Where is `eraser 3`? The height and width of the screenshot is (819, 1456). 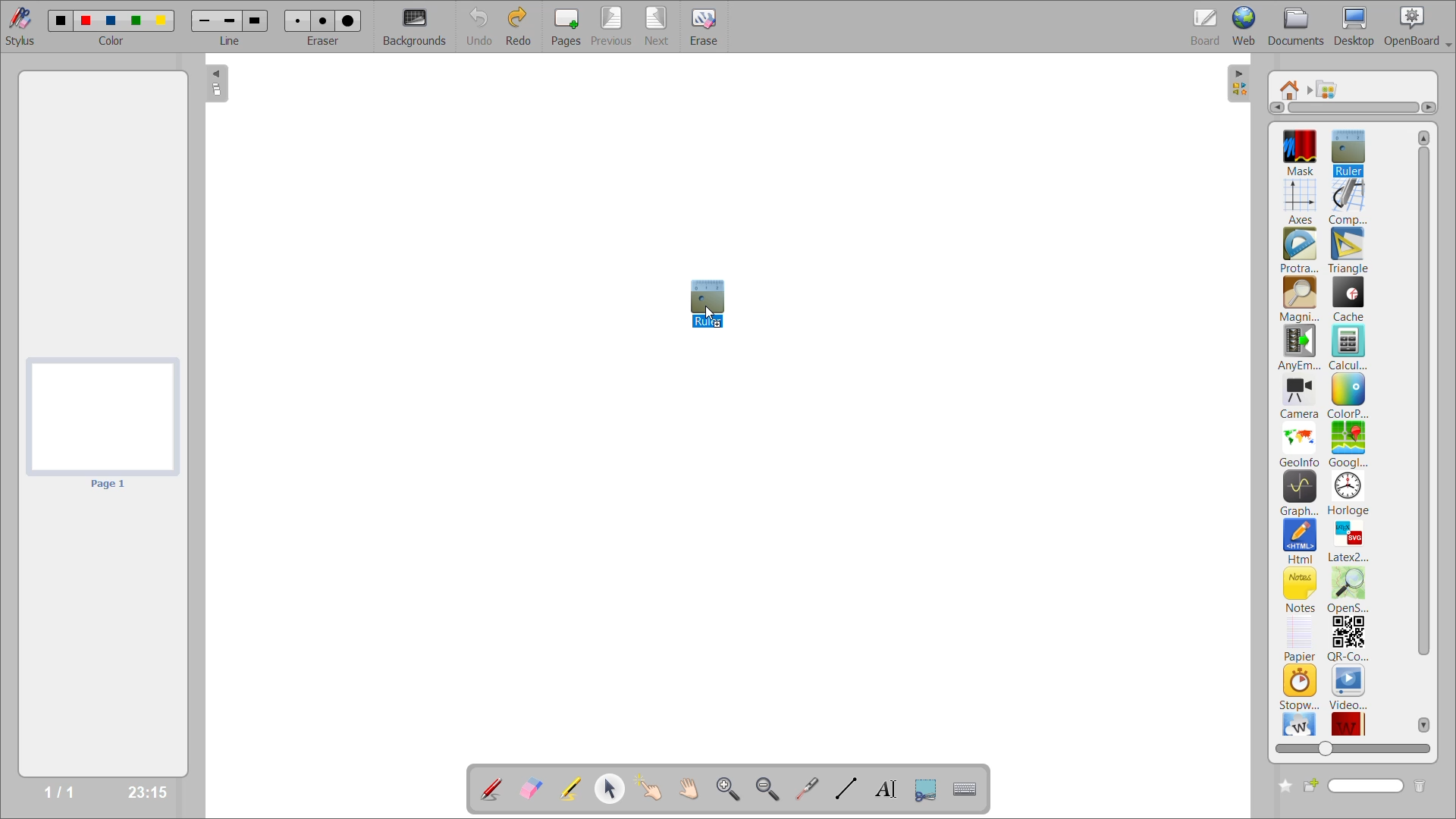
eraser 3 is located at coordinates (348, 20).